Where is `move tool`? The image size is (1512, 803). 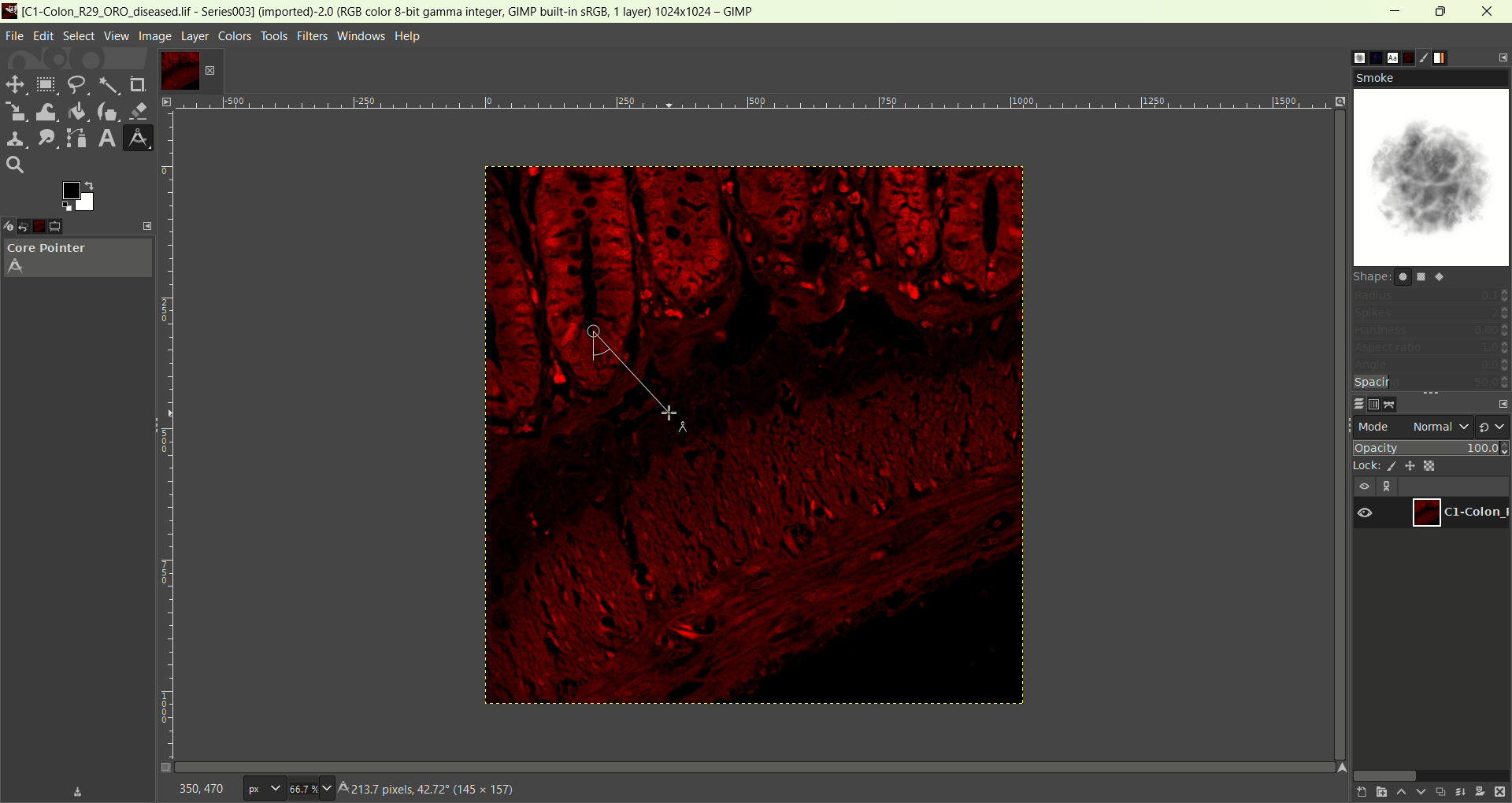
move tool is located at coordinates (13, 83).